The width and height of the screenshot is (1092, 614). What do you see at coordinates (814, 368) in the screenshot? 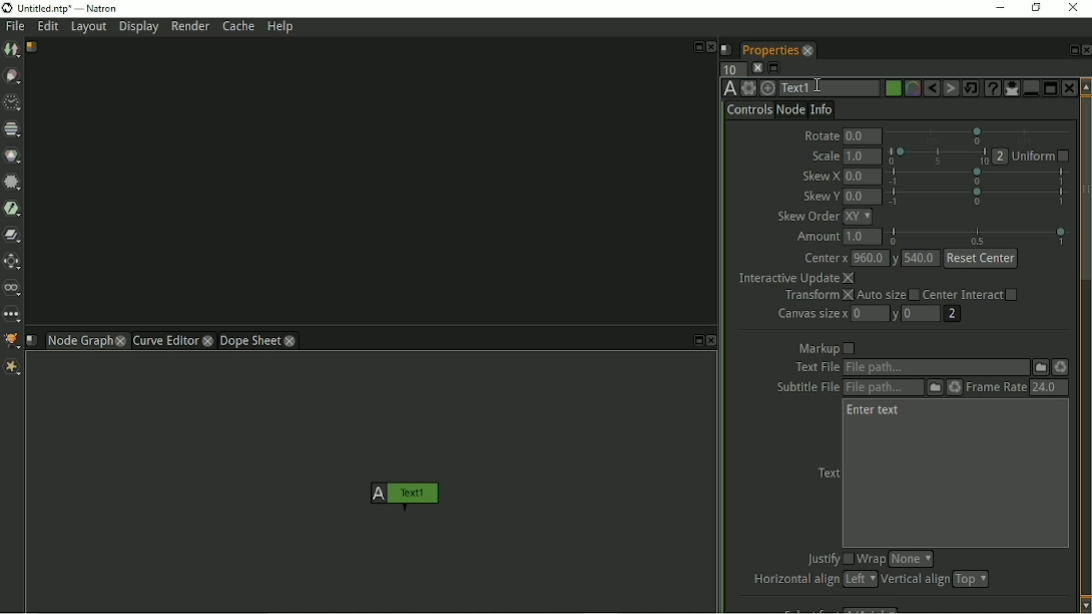
I see `Text File` at bounding box center [814, 368].